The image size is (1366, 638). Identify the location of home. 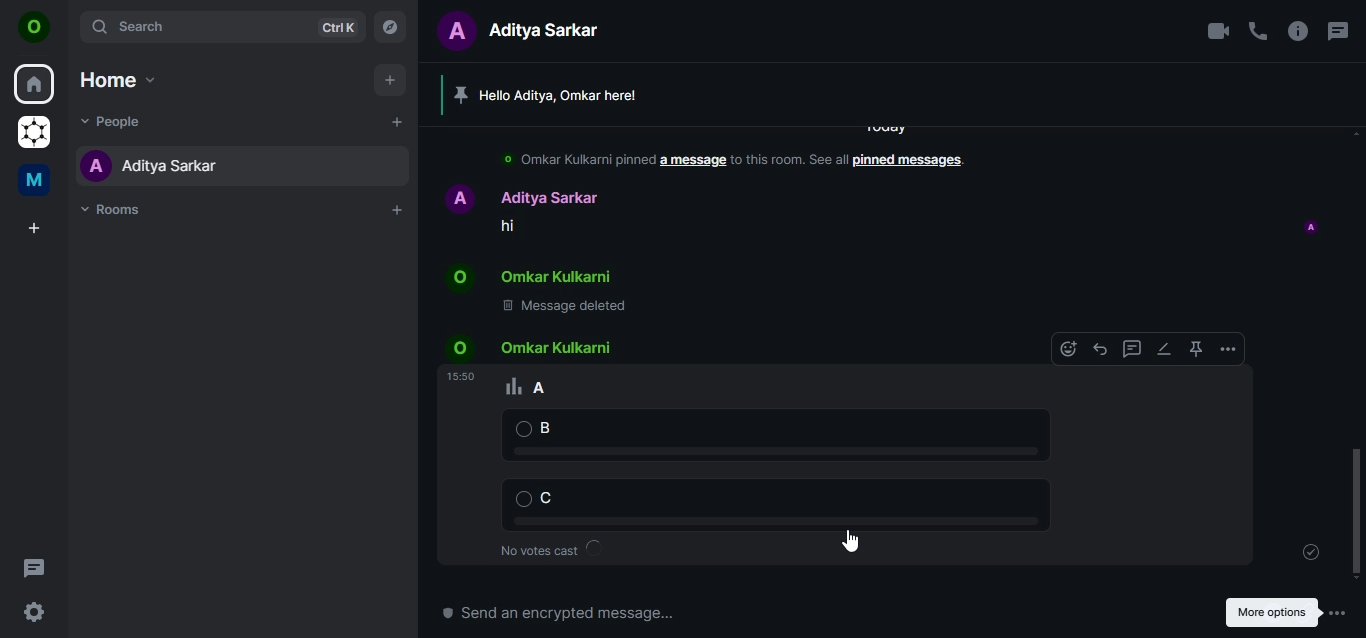
(36, 85).